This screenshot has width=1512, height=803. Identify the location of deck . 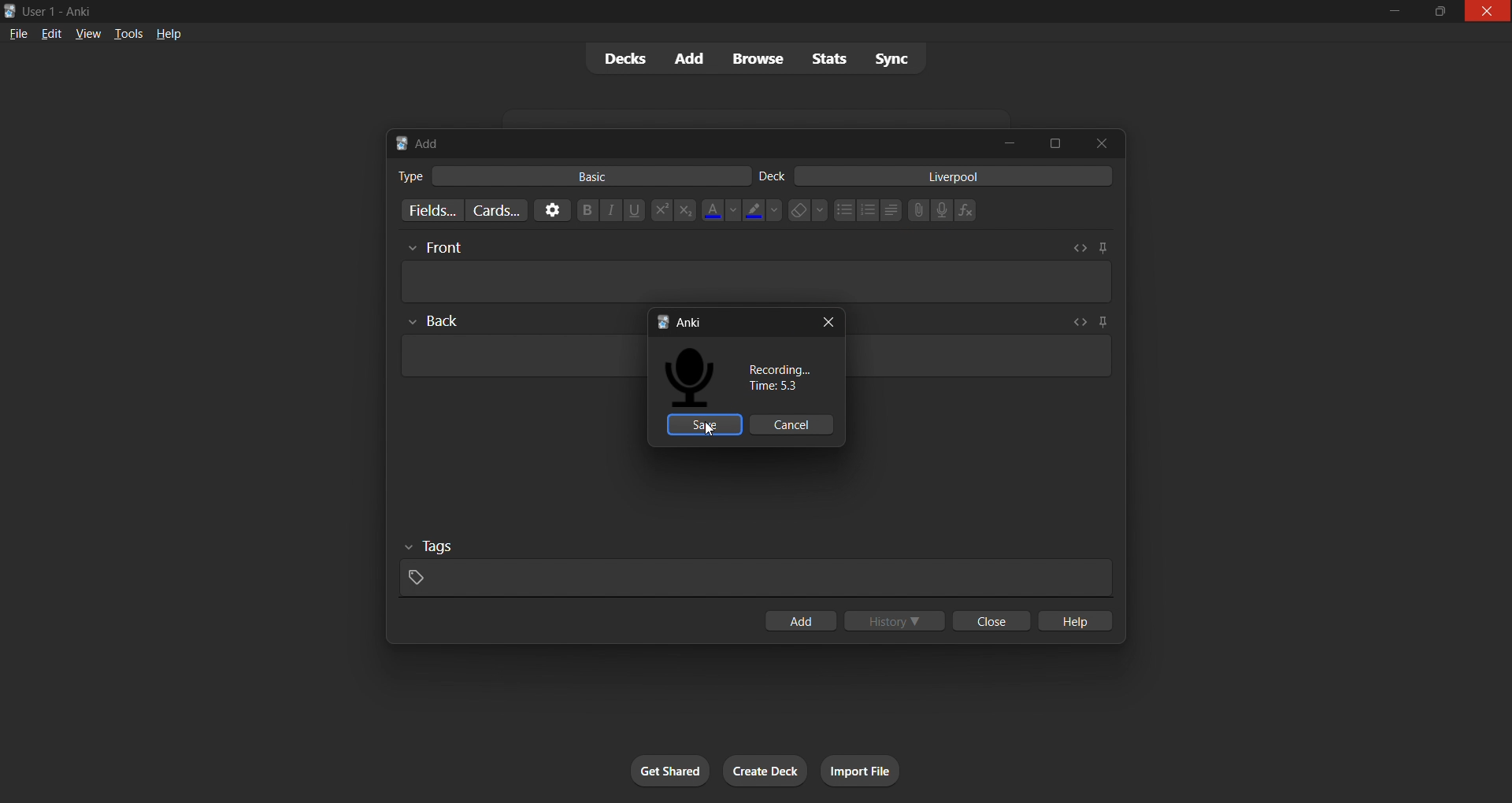
(775, 175).